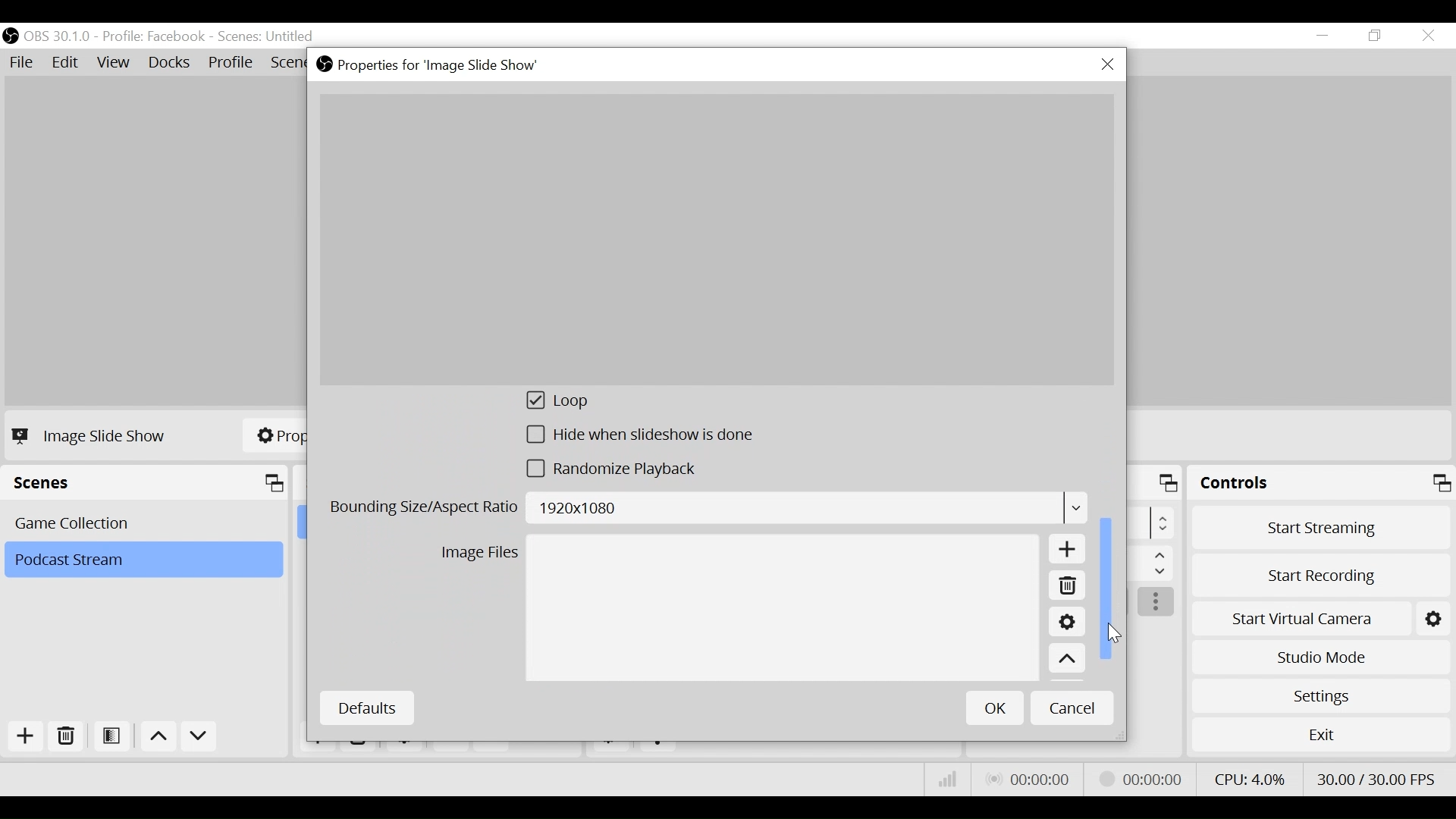 The image size is (1456, 819). What do you see at coordinates (67, 63) in the screenshot?
I see `Edit` at bounding box center [67, 63].